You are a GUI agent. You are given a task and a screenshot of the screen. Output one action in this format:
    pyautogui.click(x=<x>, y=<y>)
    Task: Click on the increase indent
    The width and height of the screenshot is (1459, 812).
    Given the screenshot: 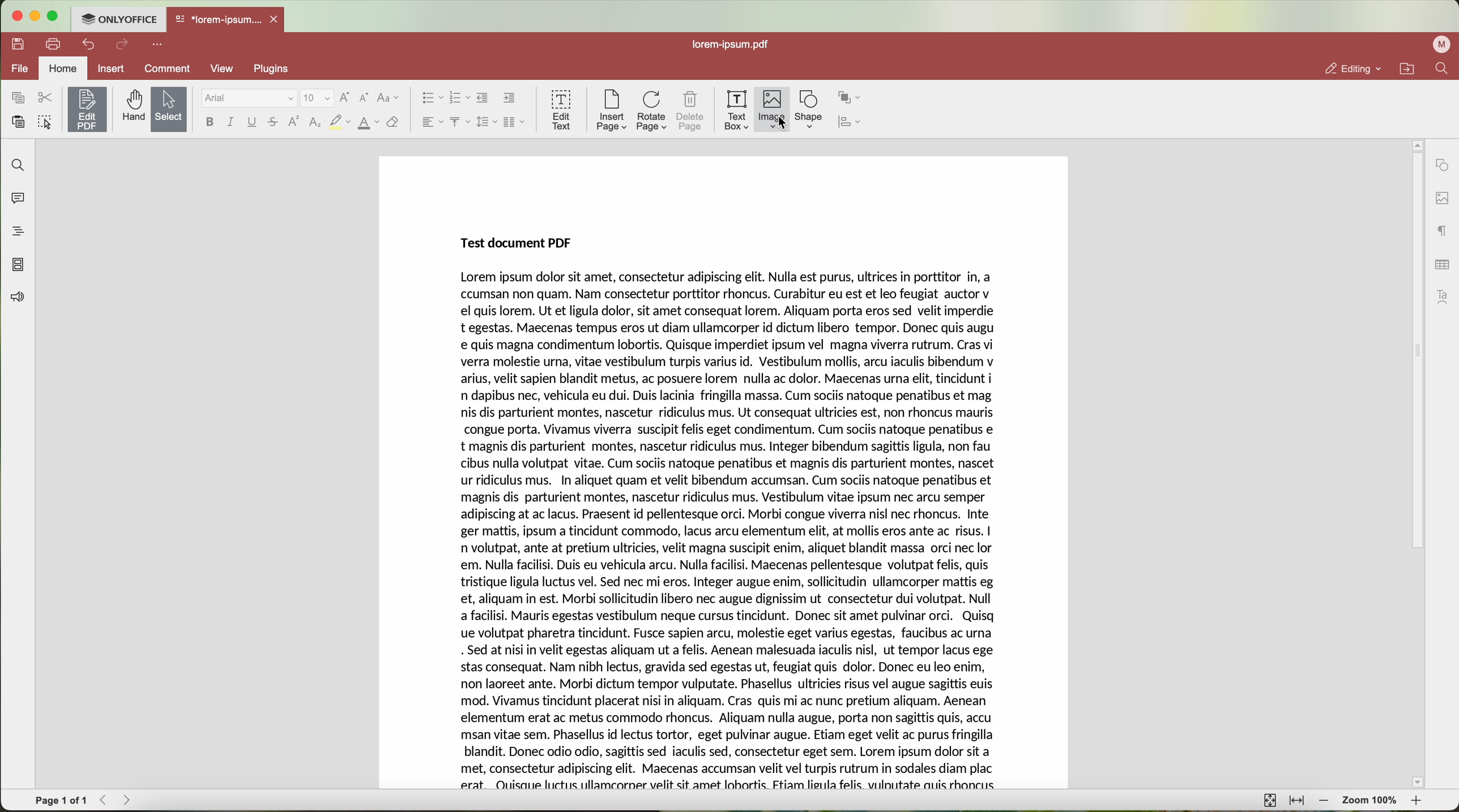 What is the action you would take?
    pyautogui.click(x=510, y=97)
    